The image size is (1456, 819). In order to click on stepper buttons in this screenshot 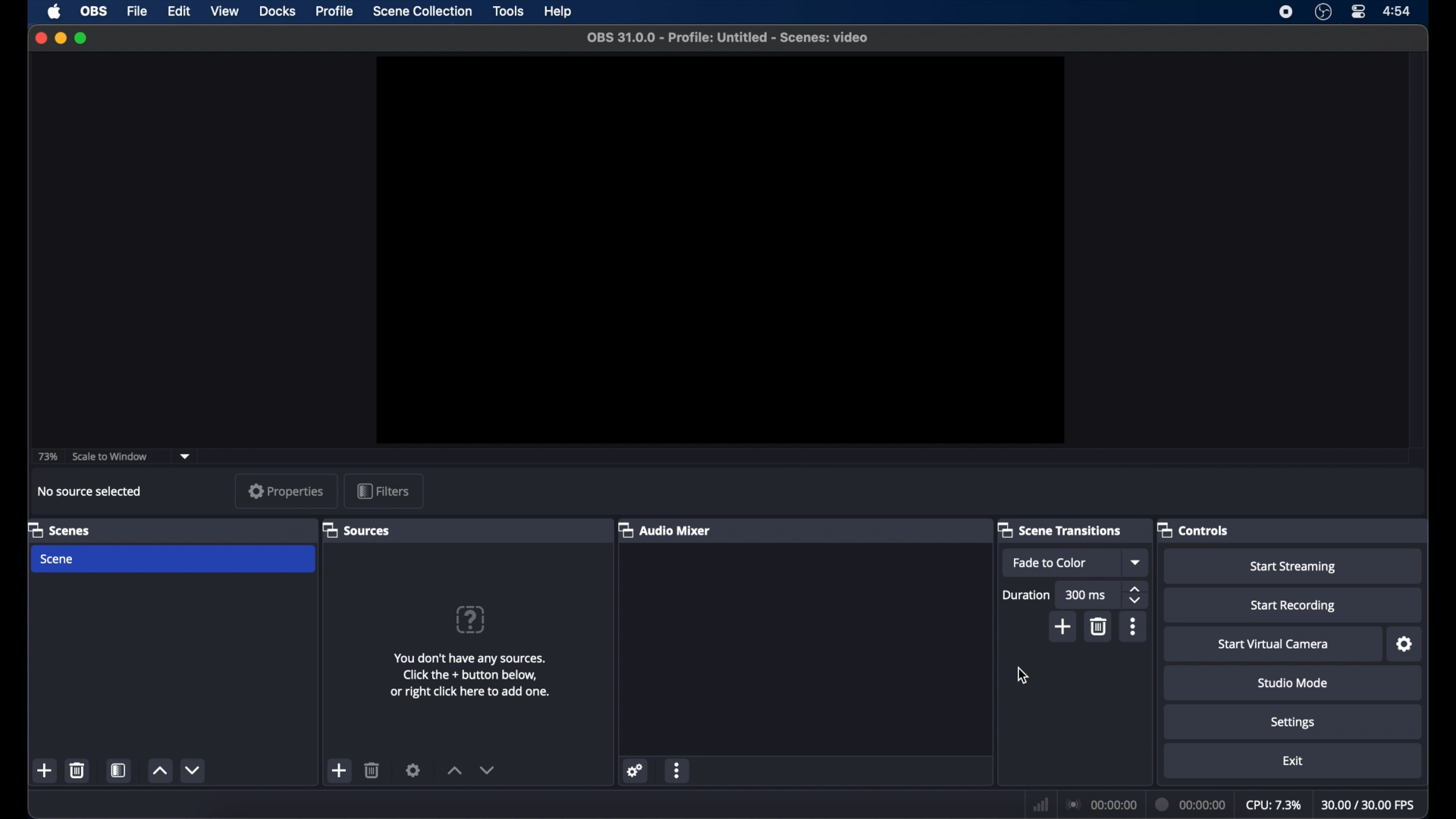, I will do `click(1136, 595)`.